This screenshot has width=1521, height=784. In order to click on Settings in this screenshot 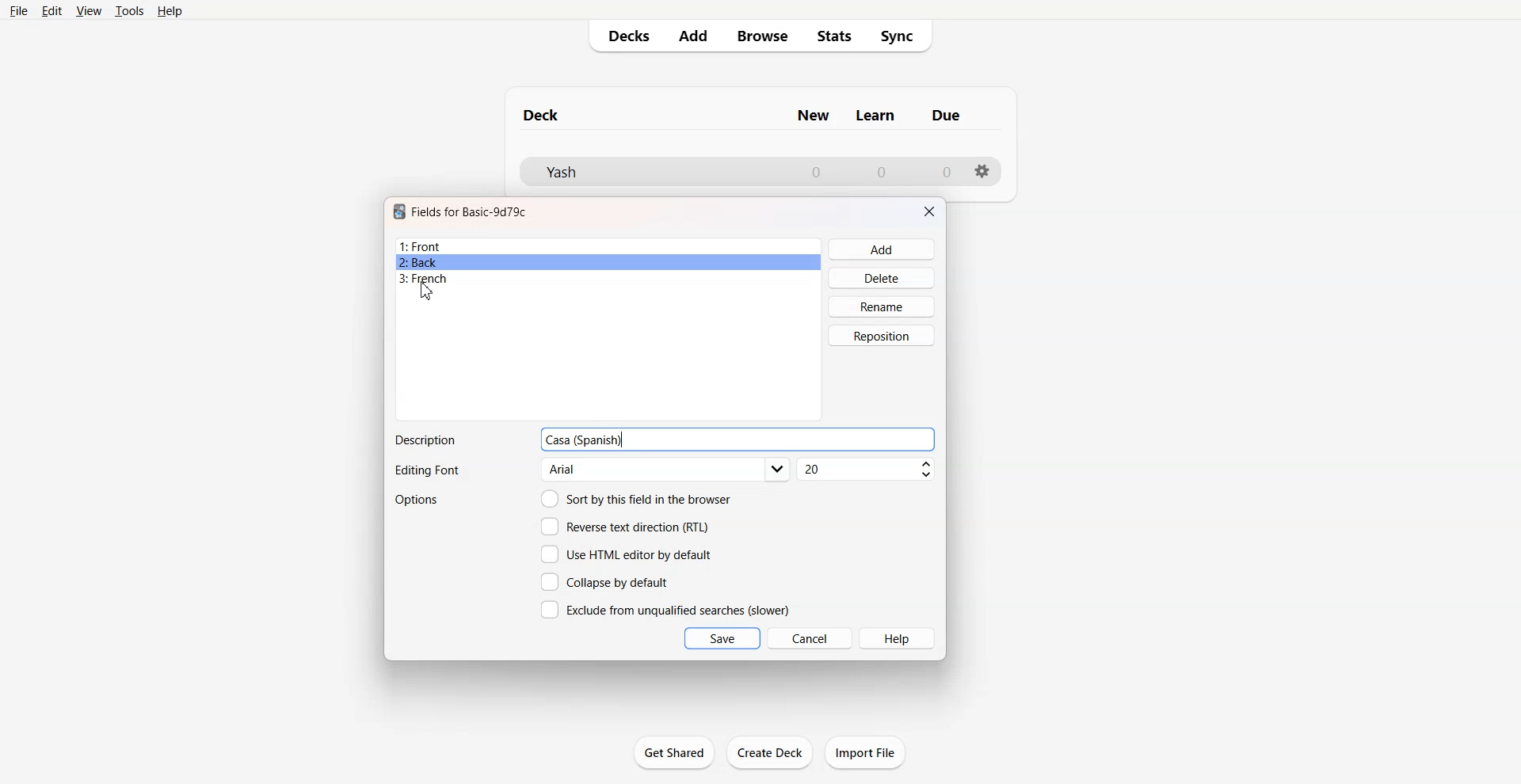, I will do `click(983, 171)`.